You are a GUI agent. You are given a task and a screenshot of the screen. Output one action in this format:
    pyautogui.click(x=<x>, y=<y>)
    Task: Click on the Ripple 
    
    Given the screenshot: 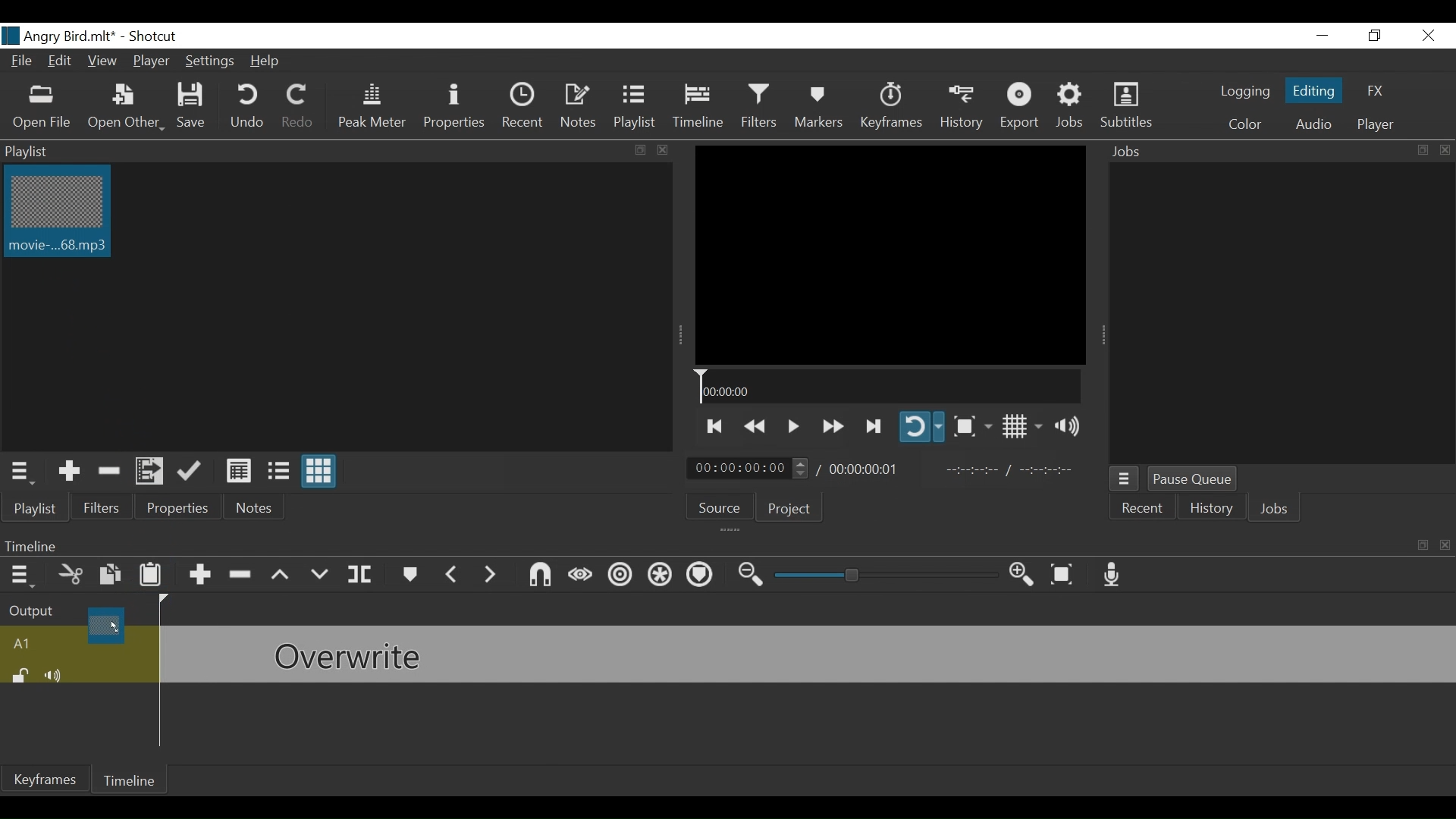 What is the action you would take?
    pyautogui.click(x=618, y=576)
    